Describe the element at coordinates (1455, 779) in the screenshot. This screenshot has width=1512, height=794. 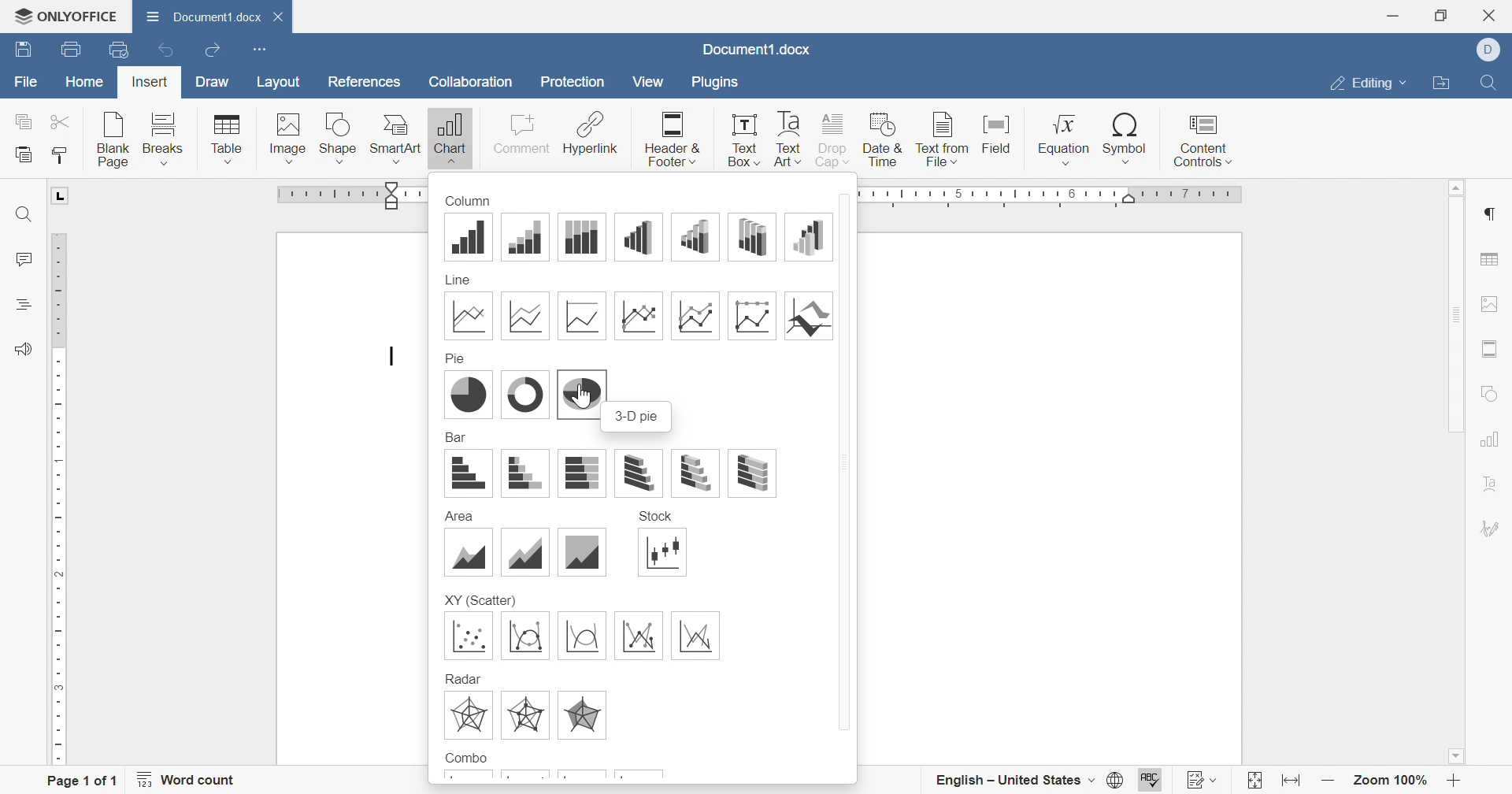
I see `Zoom In` at that location.